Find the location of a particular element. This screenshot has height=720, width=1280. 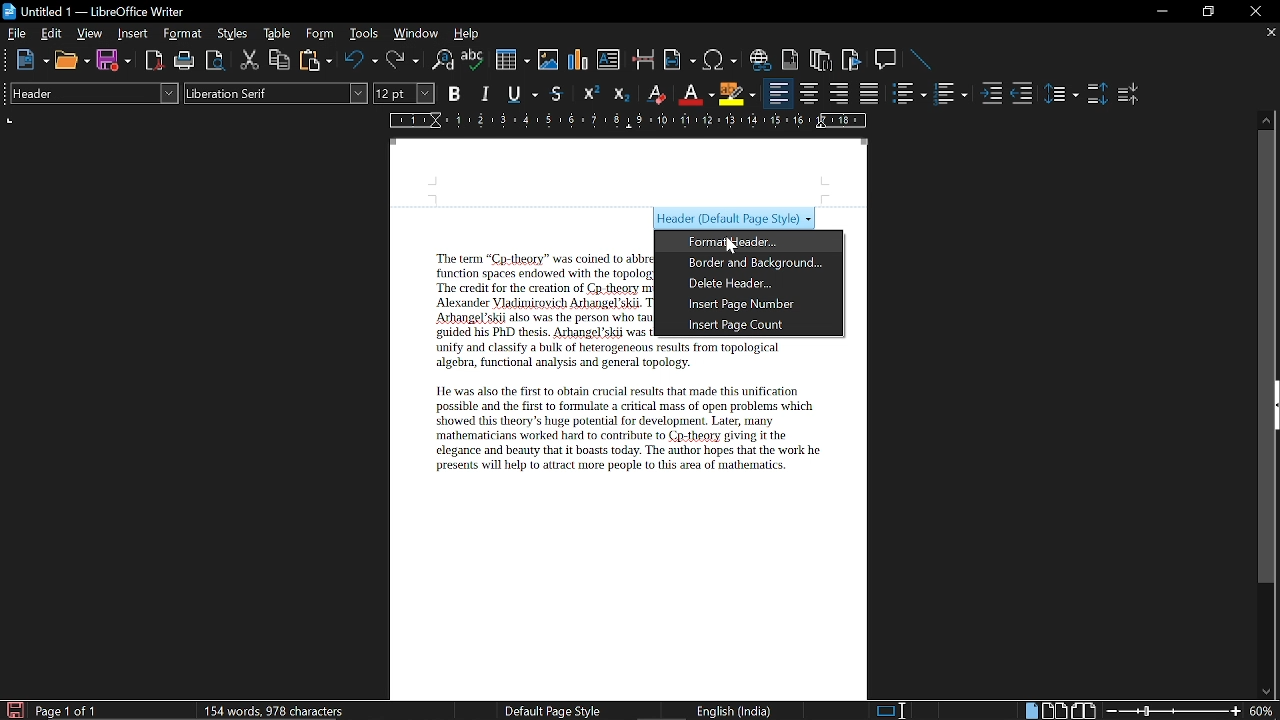

Current window is located at coordinates (94, 12).